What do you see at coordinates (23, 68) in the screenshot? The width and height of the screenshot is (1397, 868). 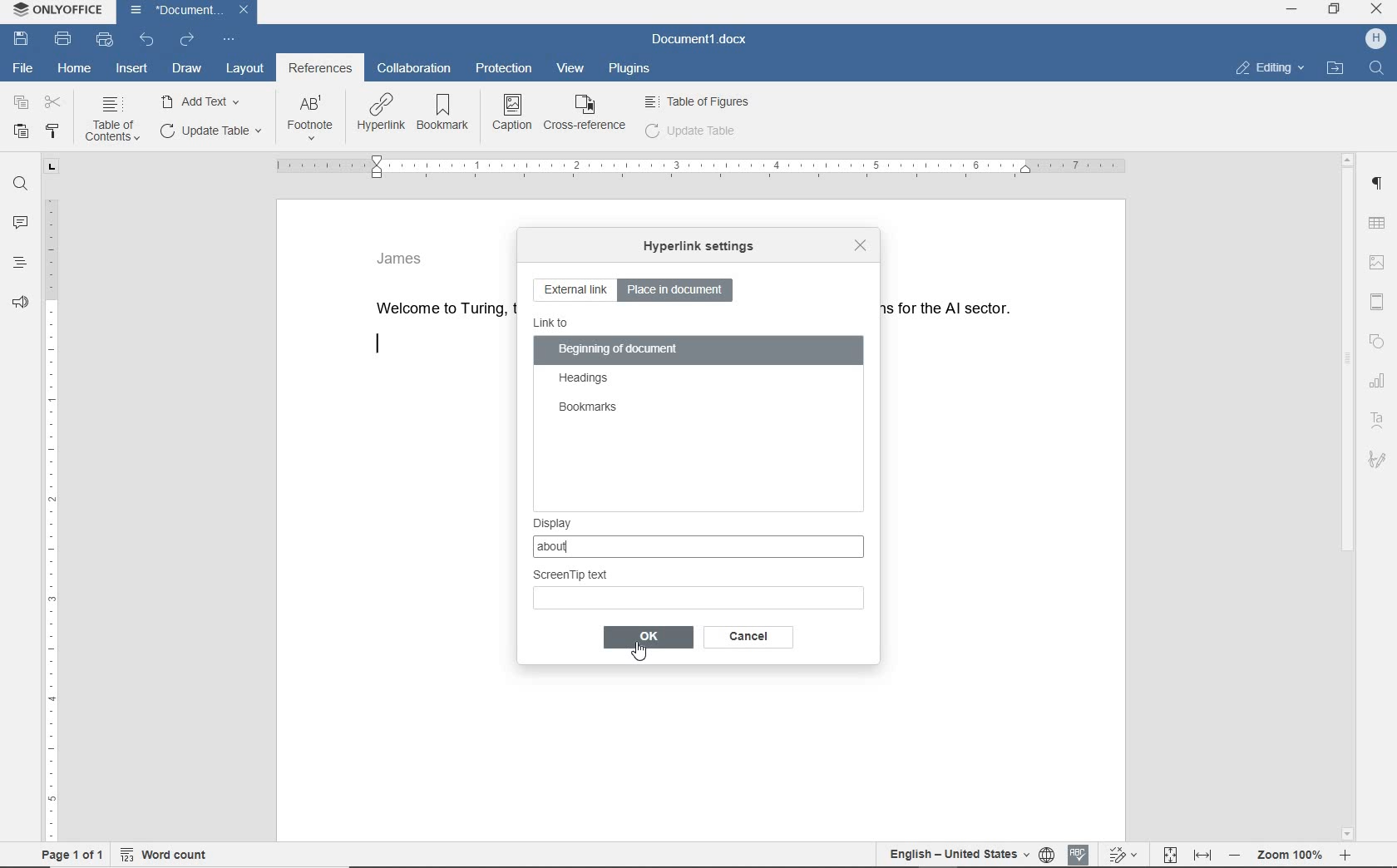 I see `file` at bounding box center [23, 68].